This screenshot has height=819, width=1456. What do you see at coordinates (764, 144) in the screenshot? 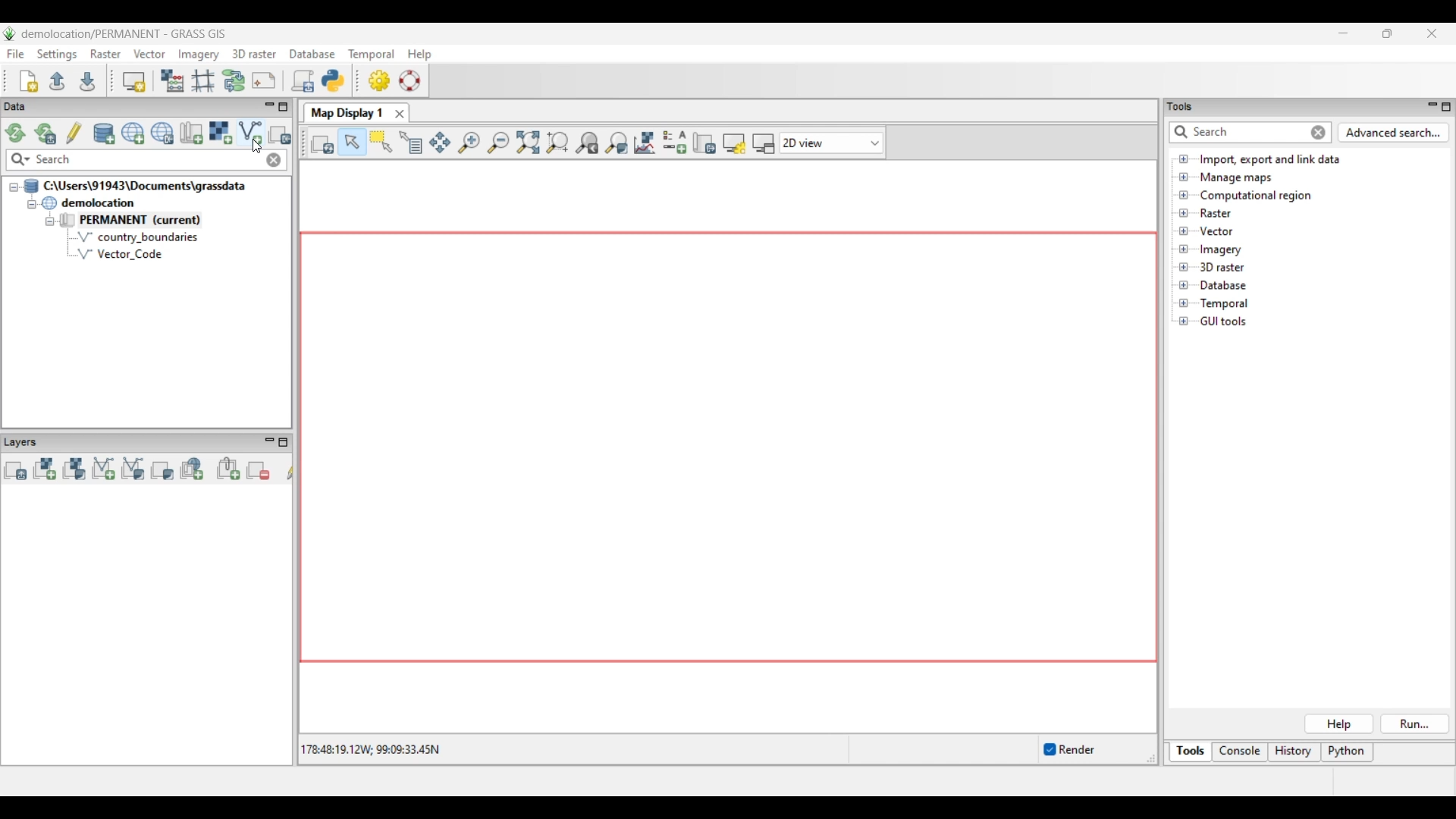
I see `(Un)dock` at bounding box center [764, 144].